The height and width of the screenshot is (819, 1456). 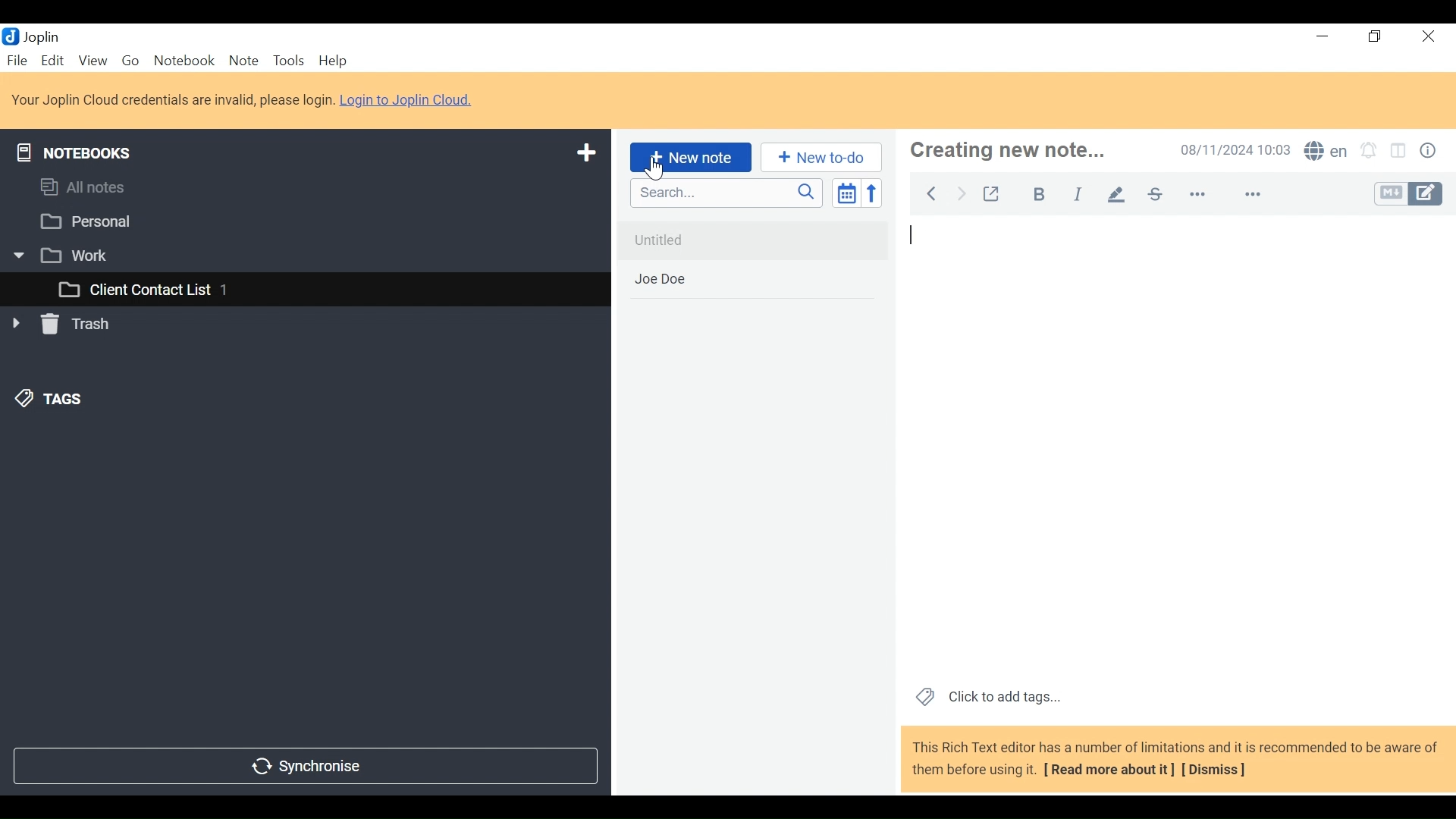 I want to click on Back, so click(x=934, y=193).